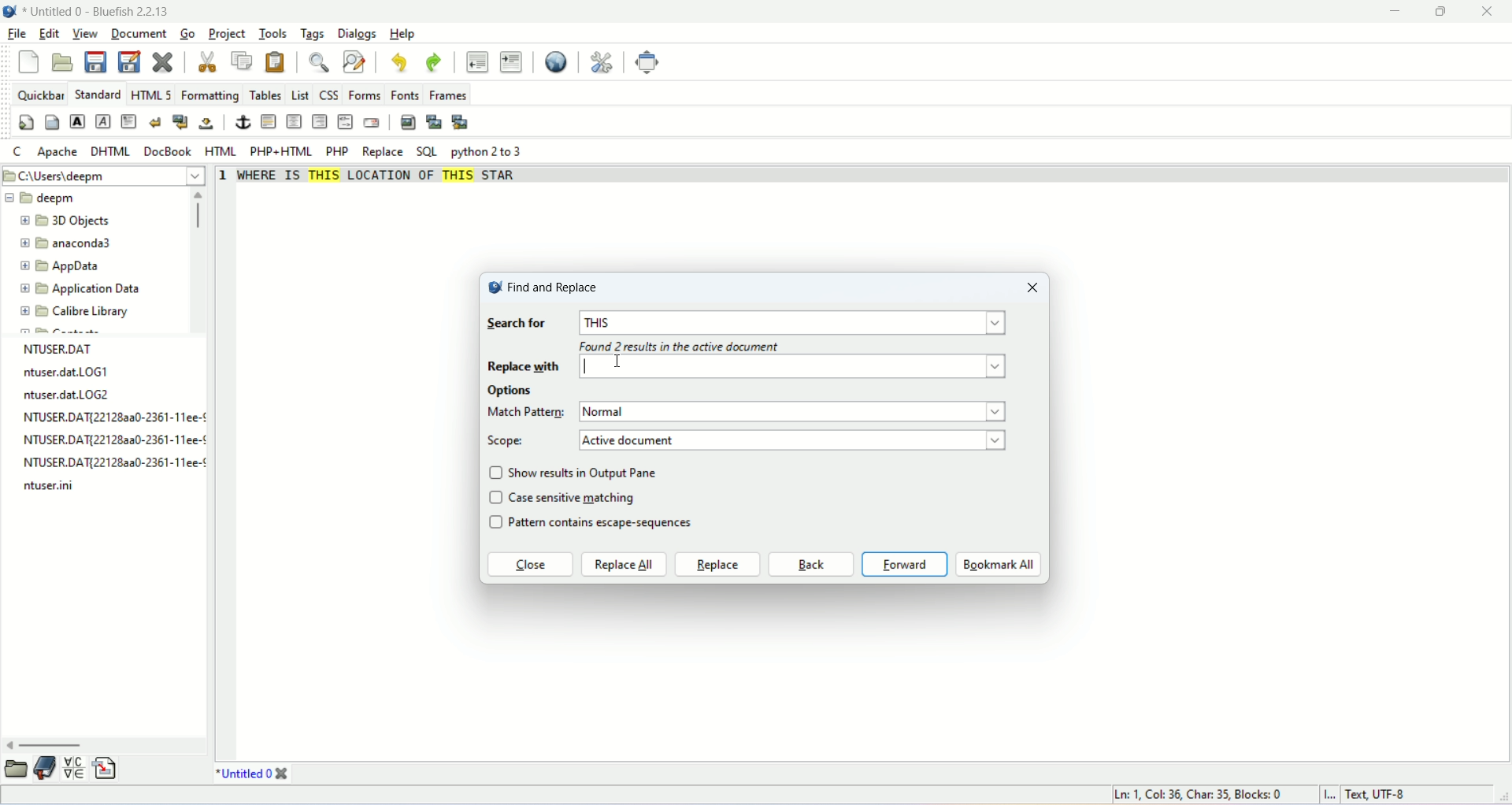 This screenshot has height=805, width=1512. What do you see at coordinates (114, 440) in the screenshot?
I see `file name` at bounding box center [114, 440].